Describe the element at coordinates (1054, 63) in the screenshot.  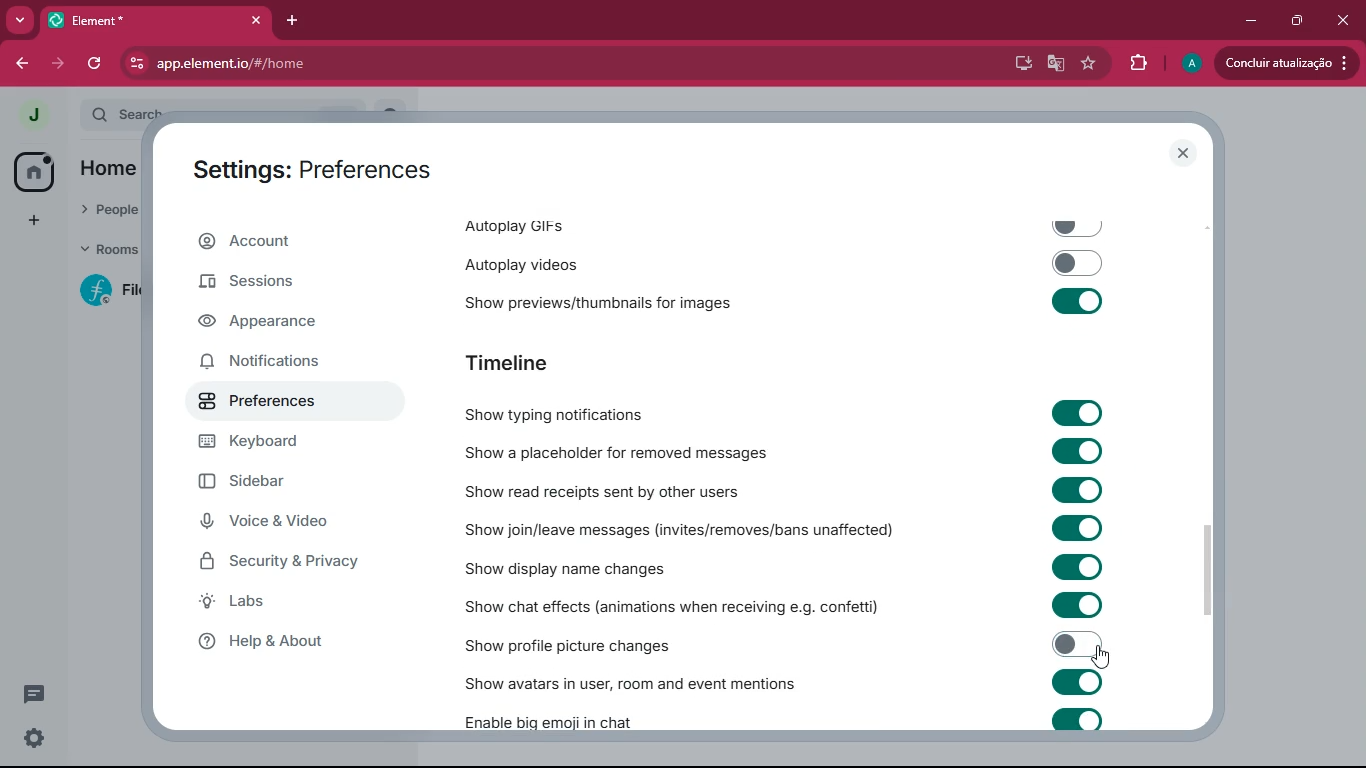
I see `google translate` at that location.